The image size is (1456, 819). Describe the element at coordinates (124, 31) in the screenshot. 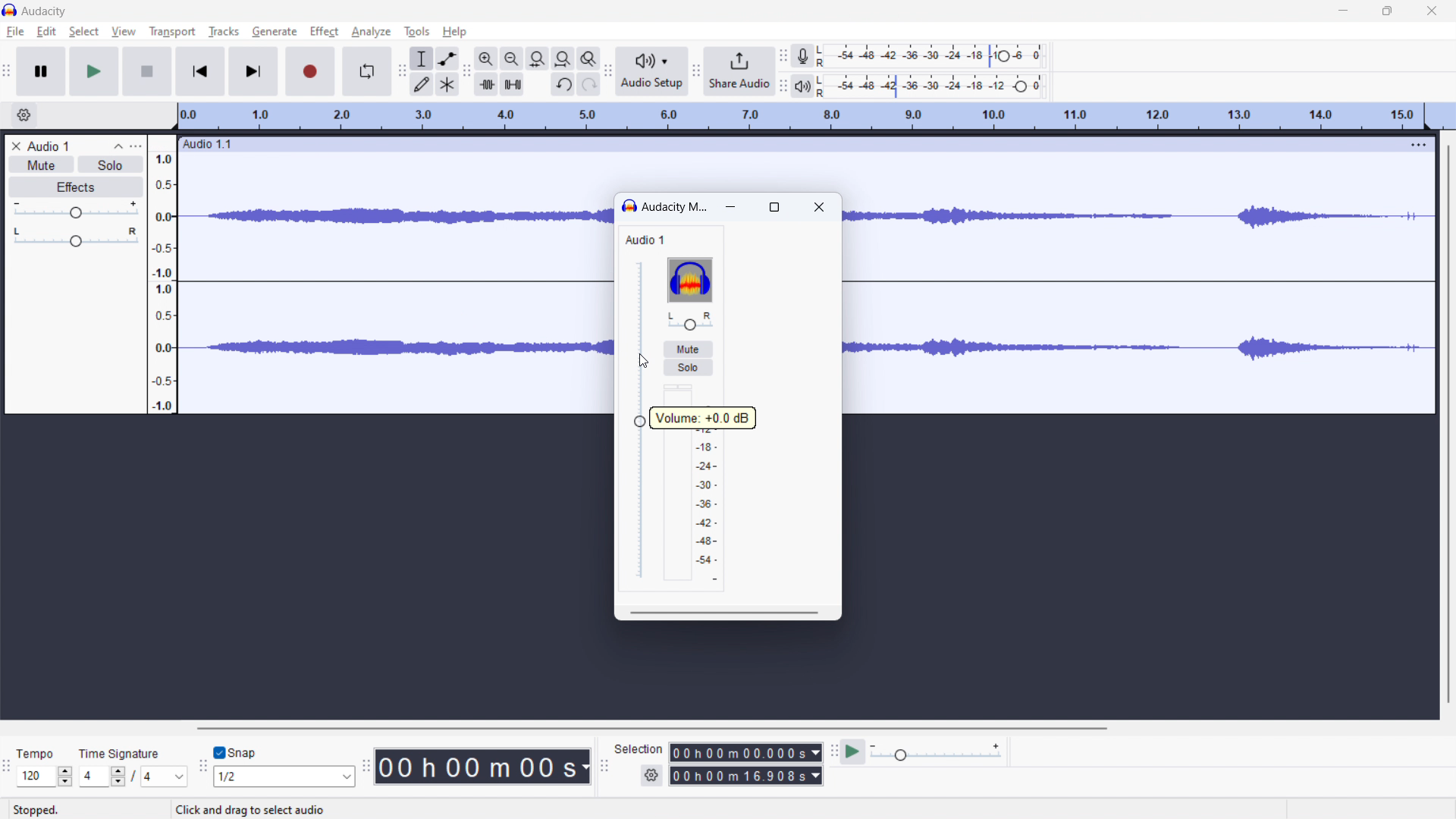

I see `view` at that location.